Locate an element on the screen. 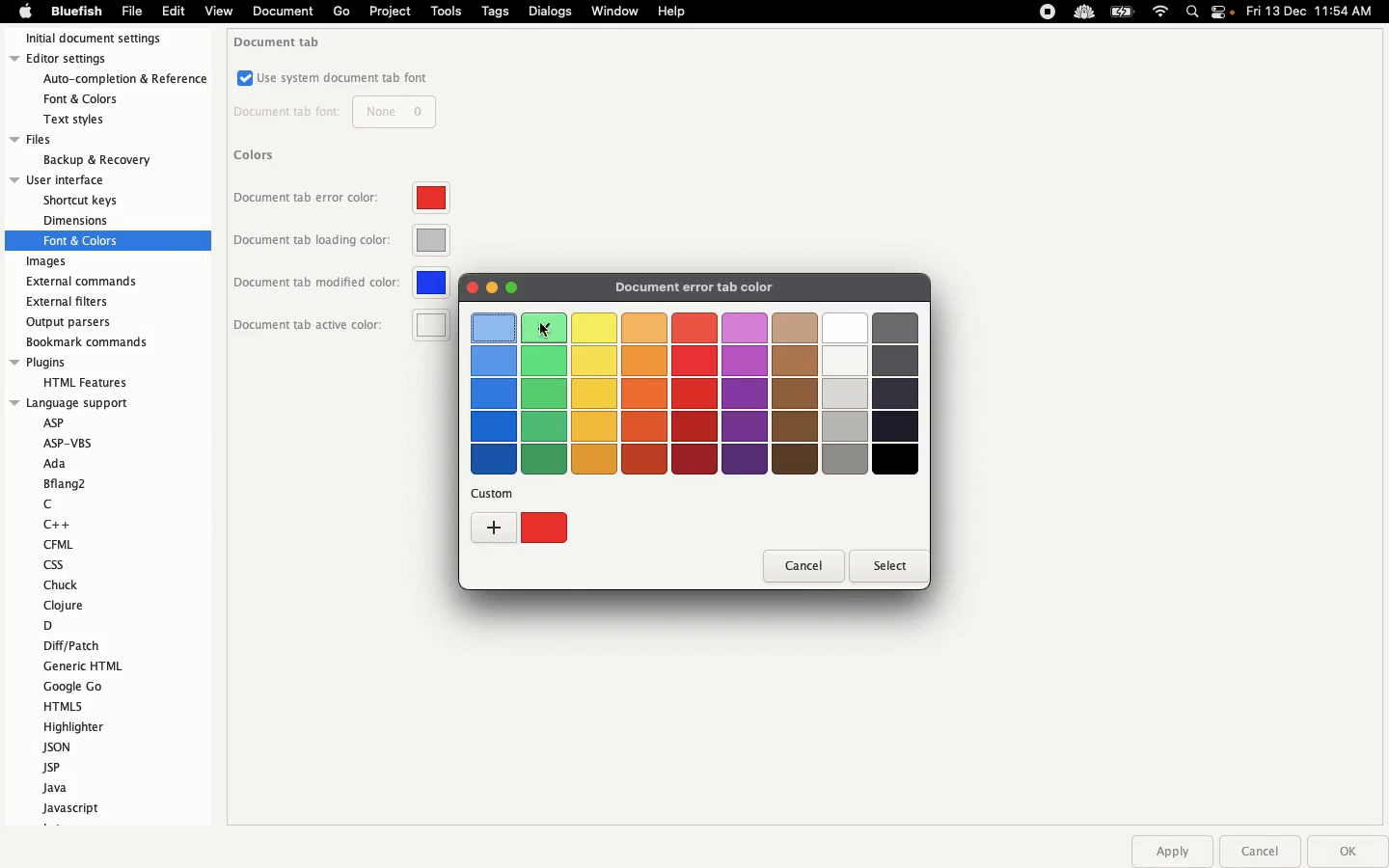 The height and width of the screenshot is (868, 1389). Language support is located at coordinates (94, 615).